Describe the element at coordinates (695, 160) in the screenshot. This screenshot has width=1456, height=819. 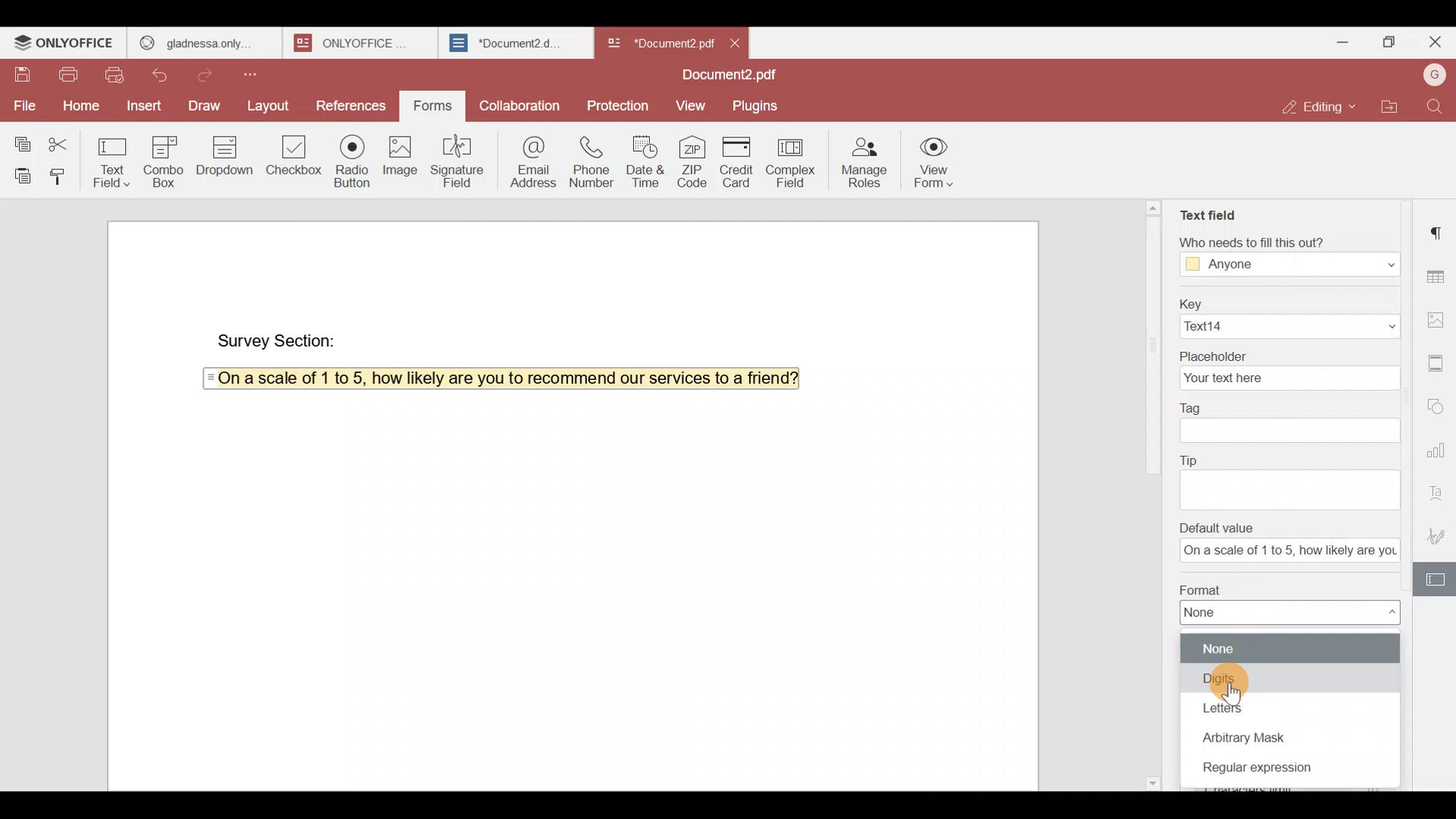
I see `ZIP code` at that location.